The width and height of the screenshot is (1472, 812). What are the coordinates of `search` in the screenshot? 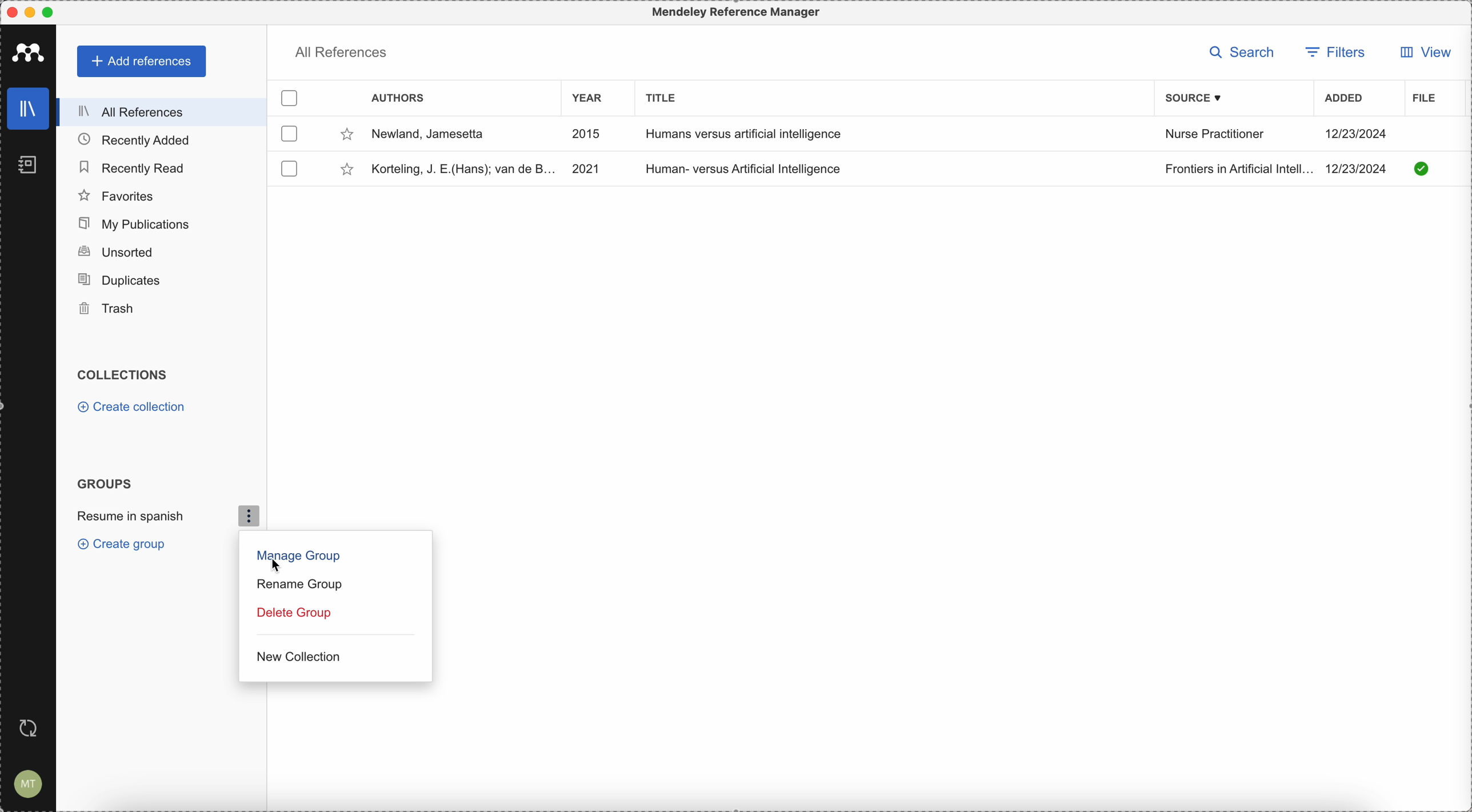 It's located at (1242, 51).